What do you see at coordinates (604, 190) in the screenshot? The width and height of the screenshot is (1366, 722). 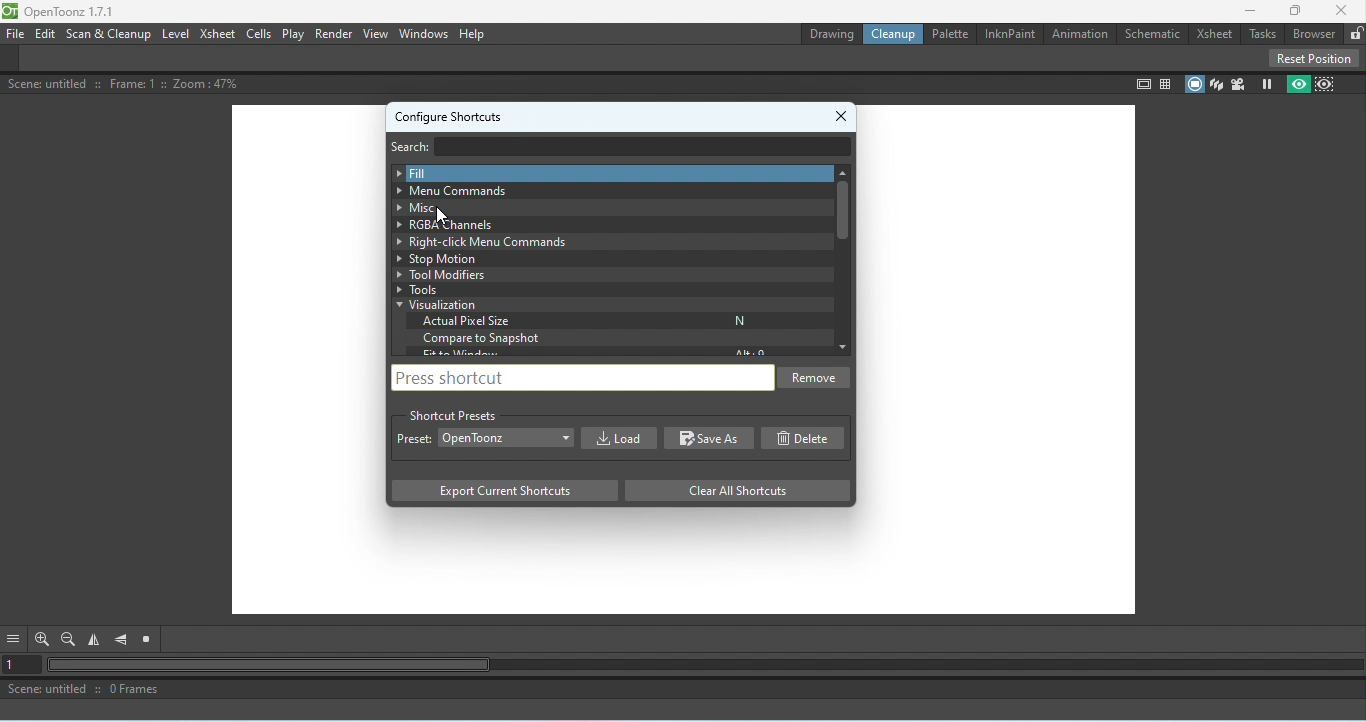 I see `Menu Commands` at bounding box center [604, 190].